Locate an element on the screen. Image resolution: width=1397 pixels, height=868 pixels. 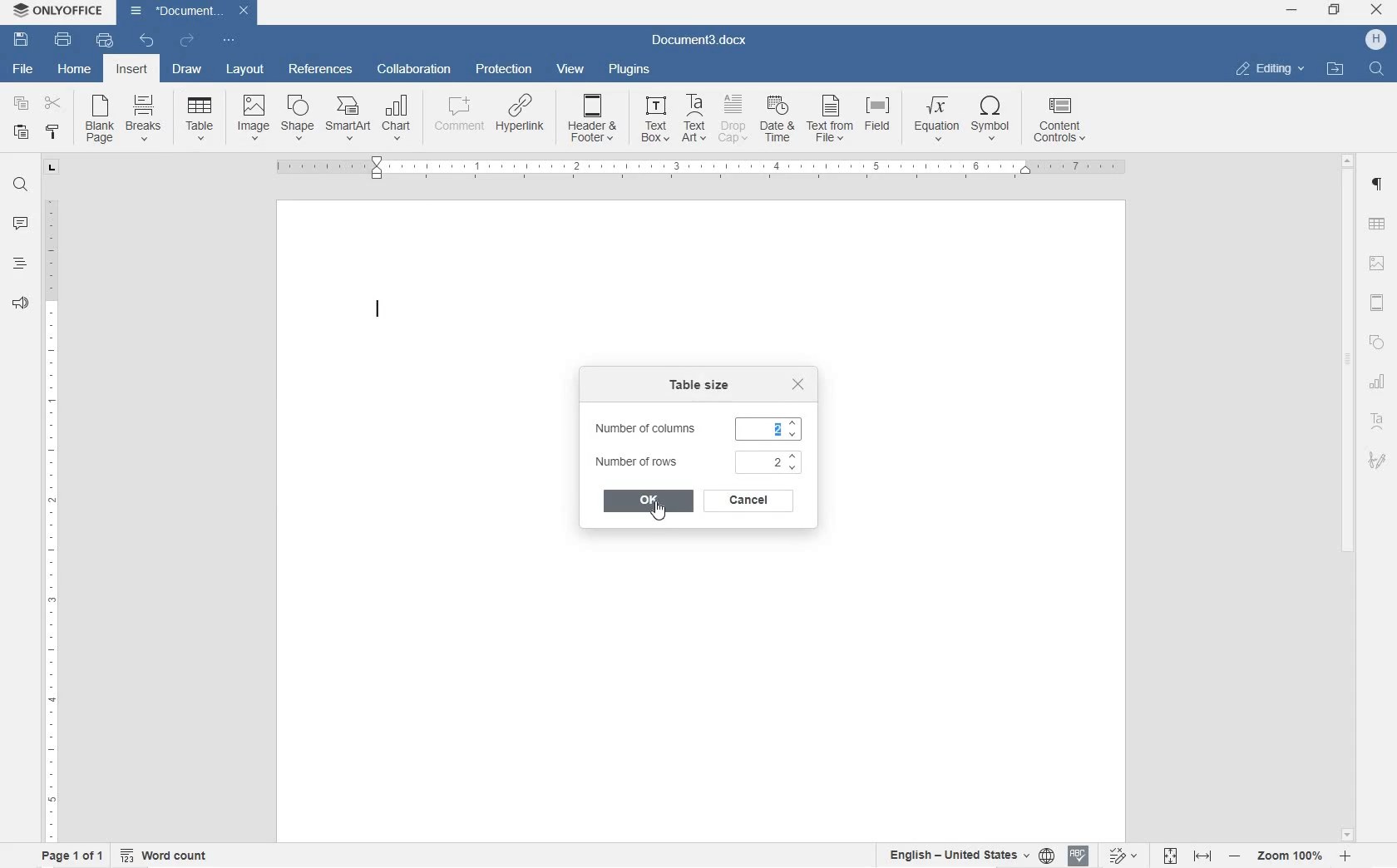
ok is located at coordinates (649, 501).